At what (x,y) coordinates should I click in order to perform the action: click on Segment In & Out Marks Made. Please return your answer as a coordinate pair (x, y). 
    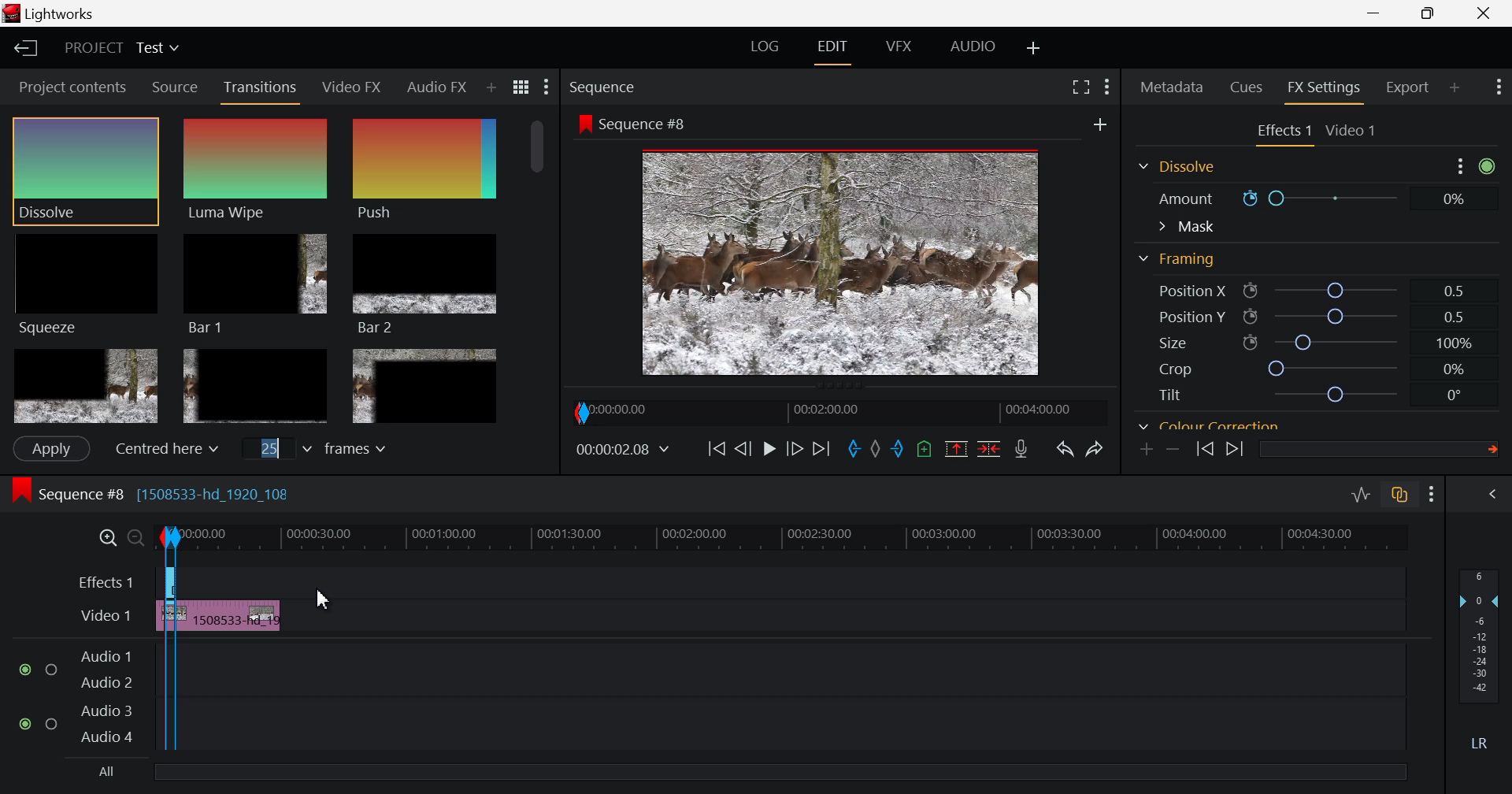
    Looking at the image, I should click on (169, 710).